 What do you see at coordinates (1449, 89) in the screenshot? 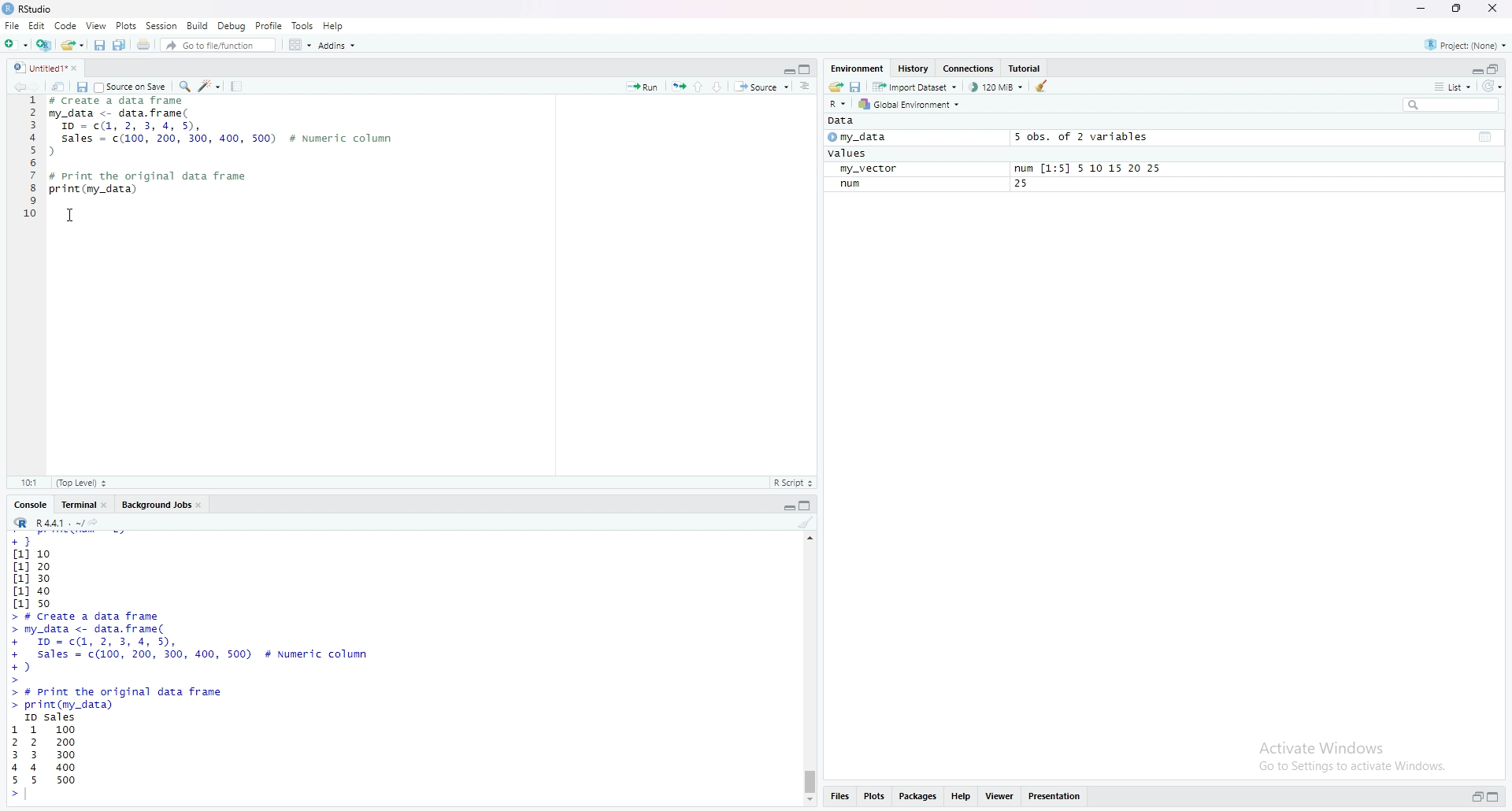
I see `list` at bounding box center [1449, 89].